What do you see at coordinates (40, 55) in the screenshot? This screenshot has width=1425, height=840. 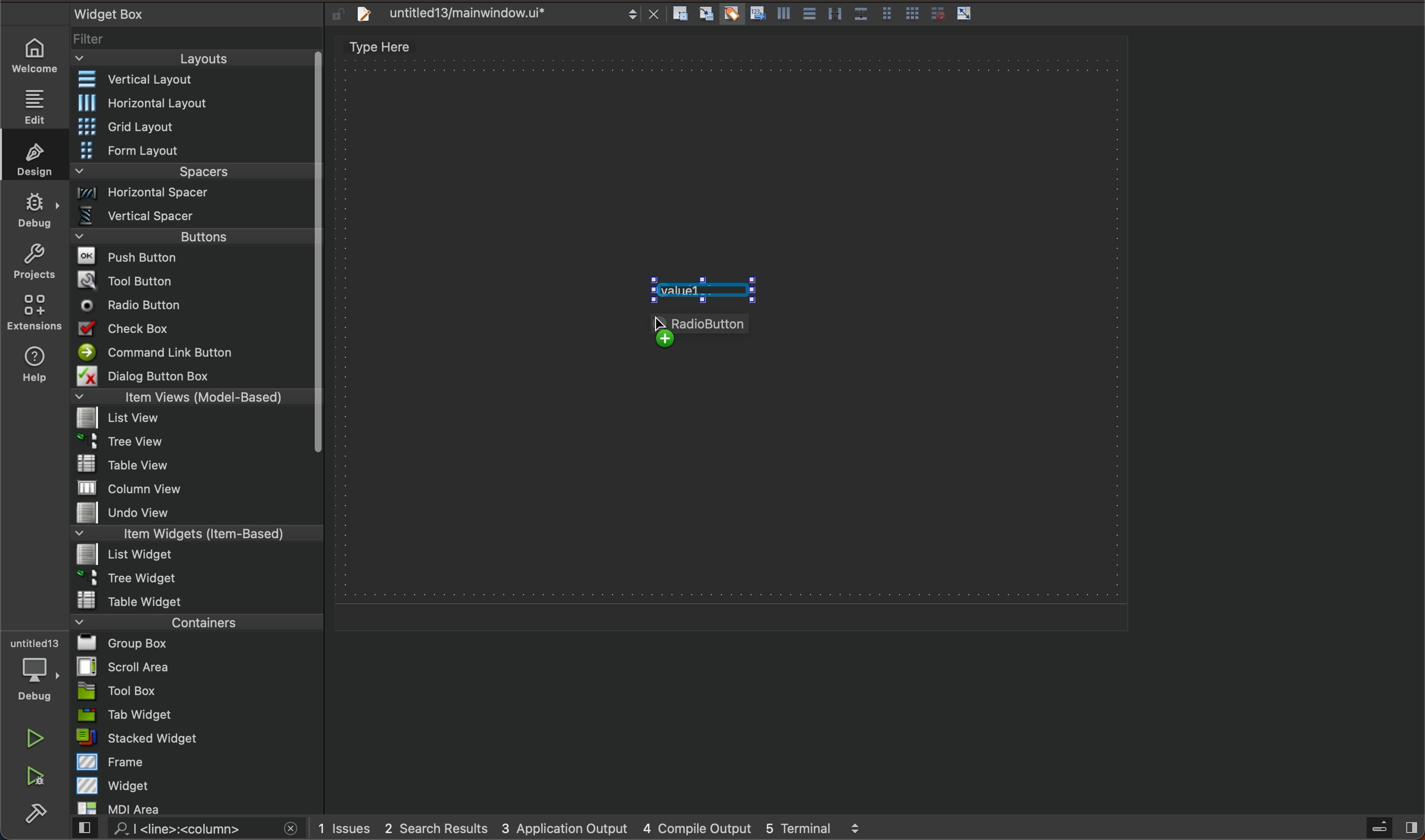 I see `home` at bounding box center [40, 55].